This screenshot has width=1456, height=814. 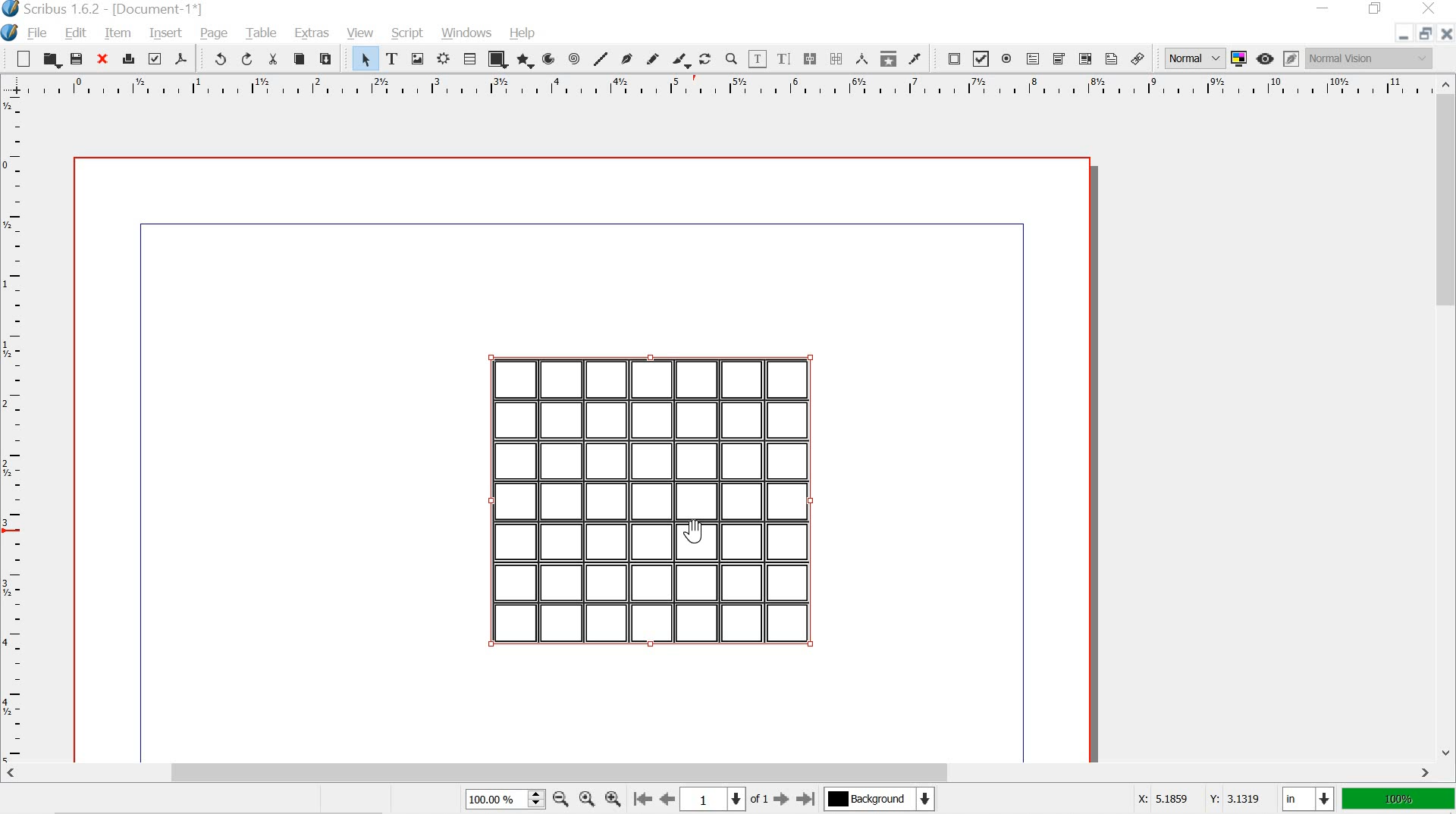 What do you see at coordinates (118, 34) in the screenshot?
I see `item` at bounding box center [118, 34].